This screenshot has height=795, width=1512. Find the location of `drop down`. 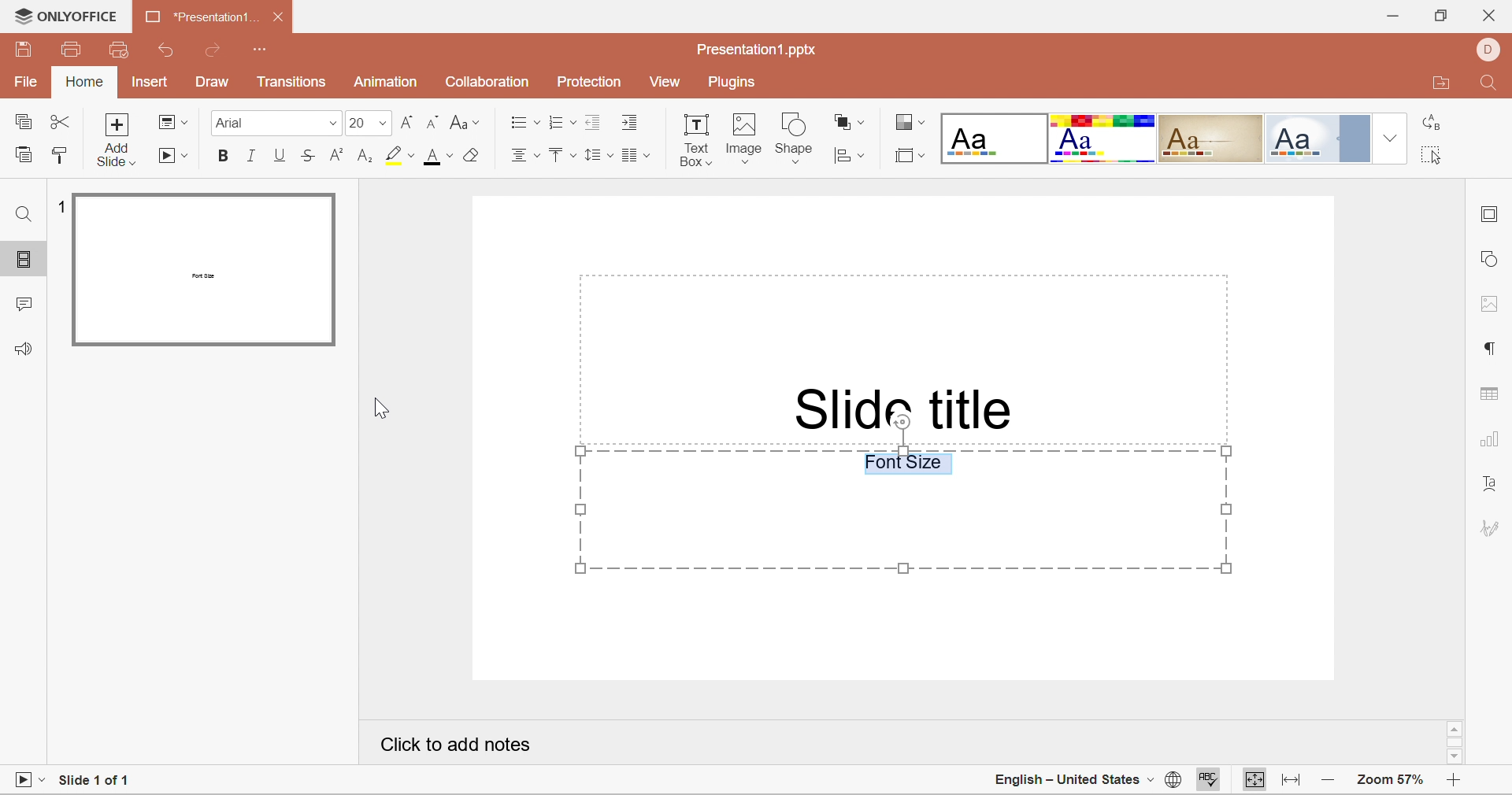

drop down is located at coordinates (385, 128).